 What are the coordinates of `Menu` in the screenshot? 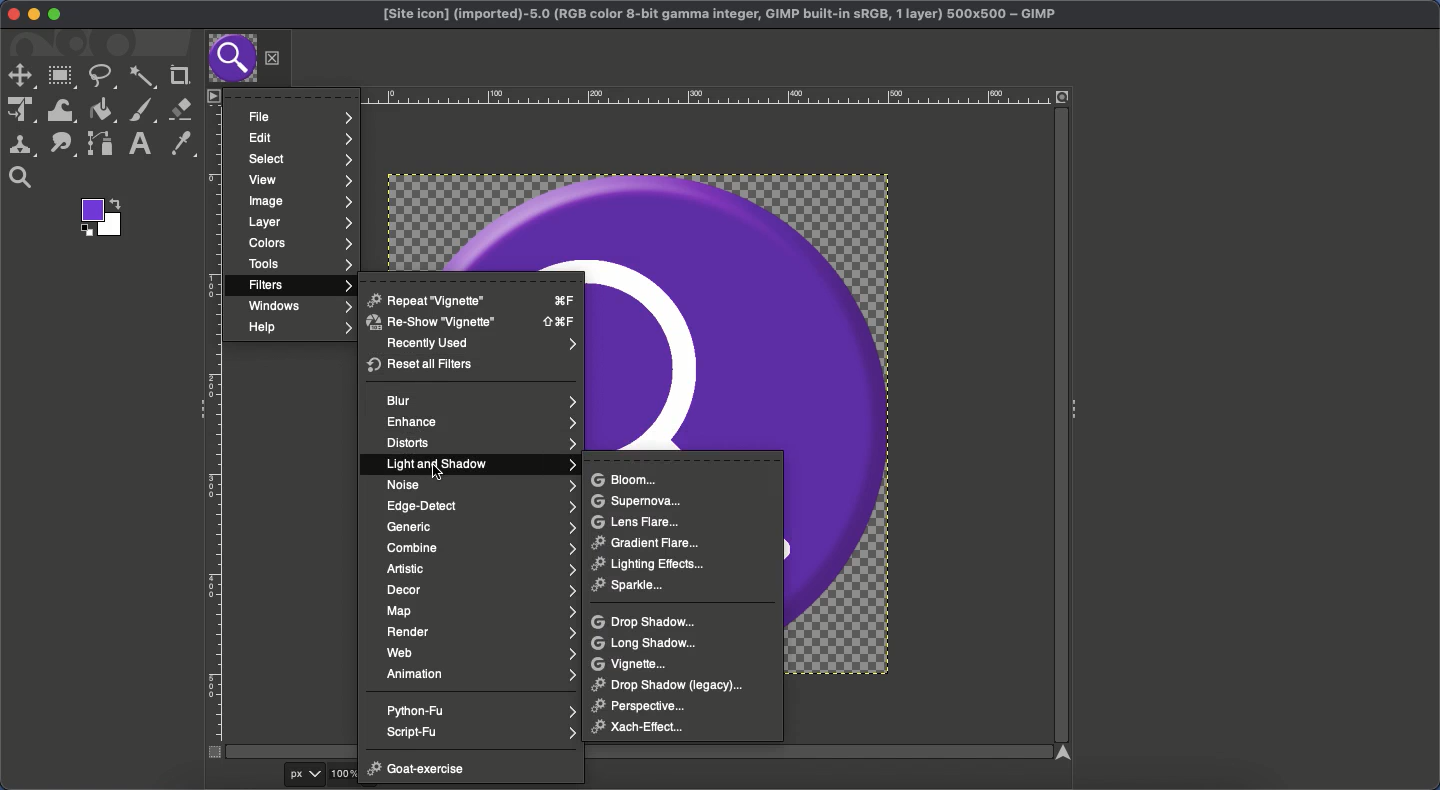 It's located at (212, 95).